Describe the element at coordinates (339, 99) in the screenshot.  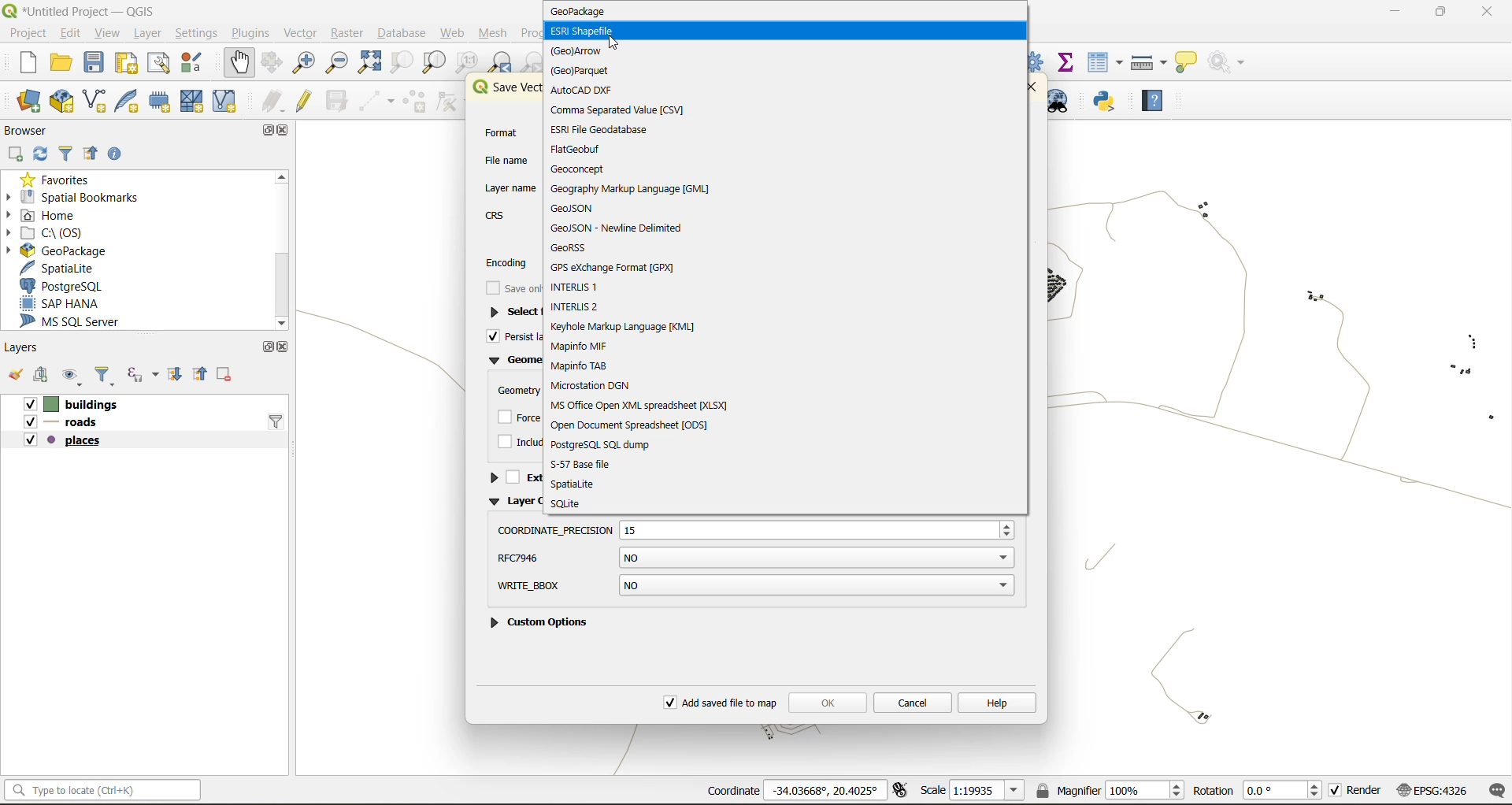
I see `save edits` at that location.